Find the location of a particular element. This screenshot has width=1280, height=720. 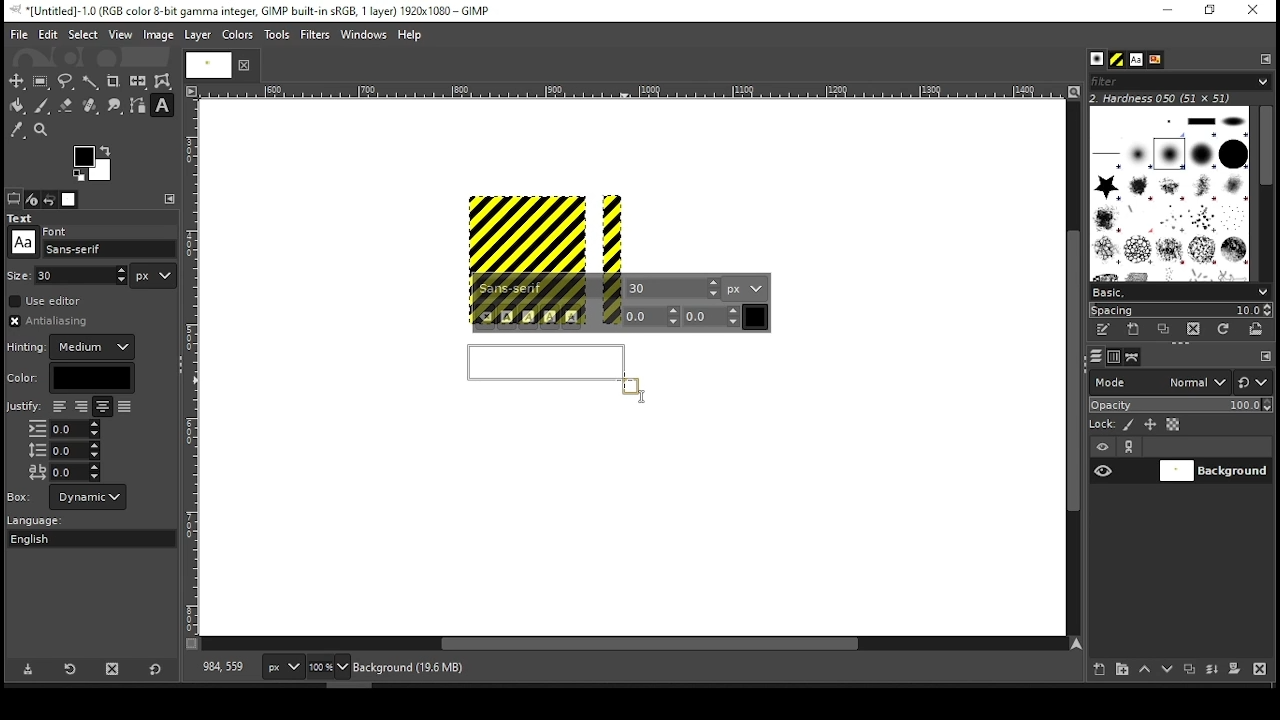

justify right is located at coordinates (80, 408).